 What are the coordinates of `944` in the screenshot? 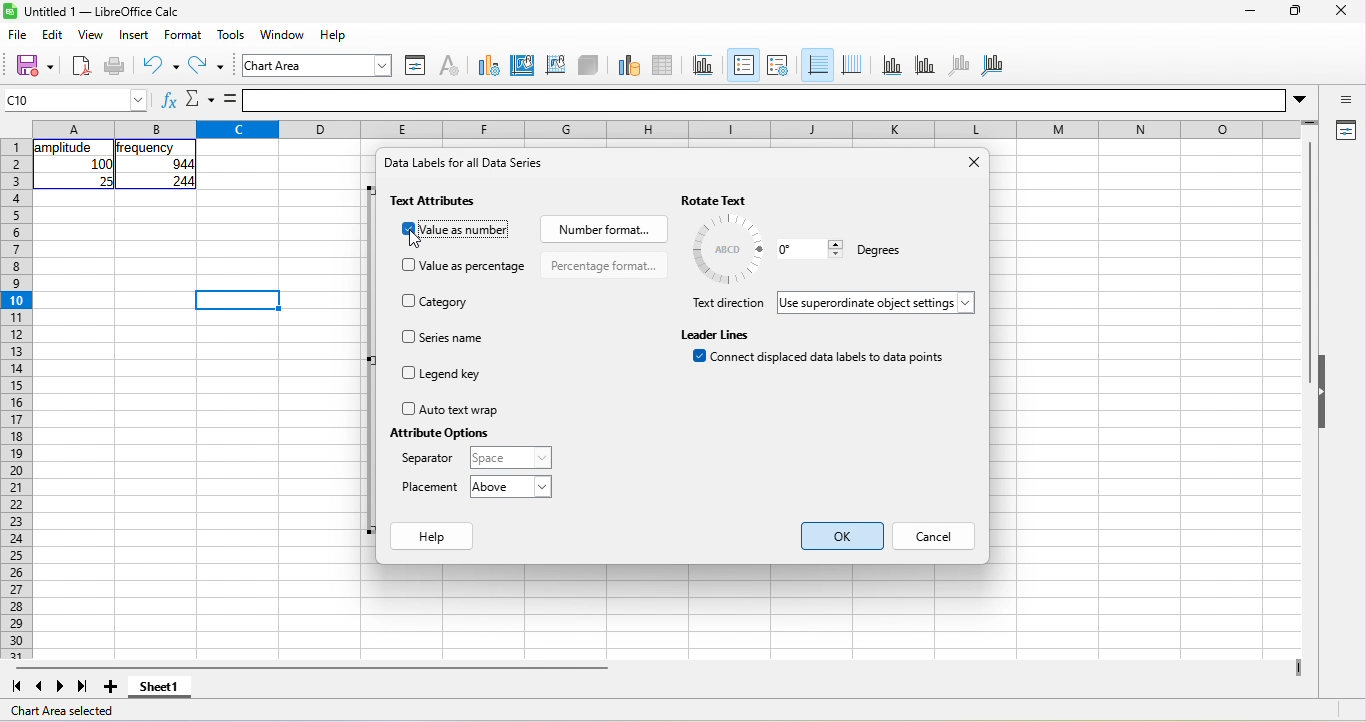 It's located at (173, 165).